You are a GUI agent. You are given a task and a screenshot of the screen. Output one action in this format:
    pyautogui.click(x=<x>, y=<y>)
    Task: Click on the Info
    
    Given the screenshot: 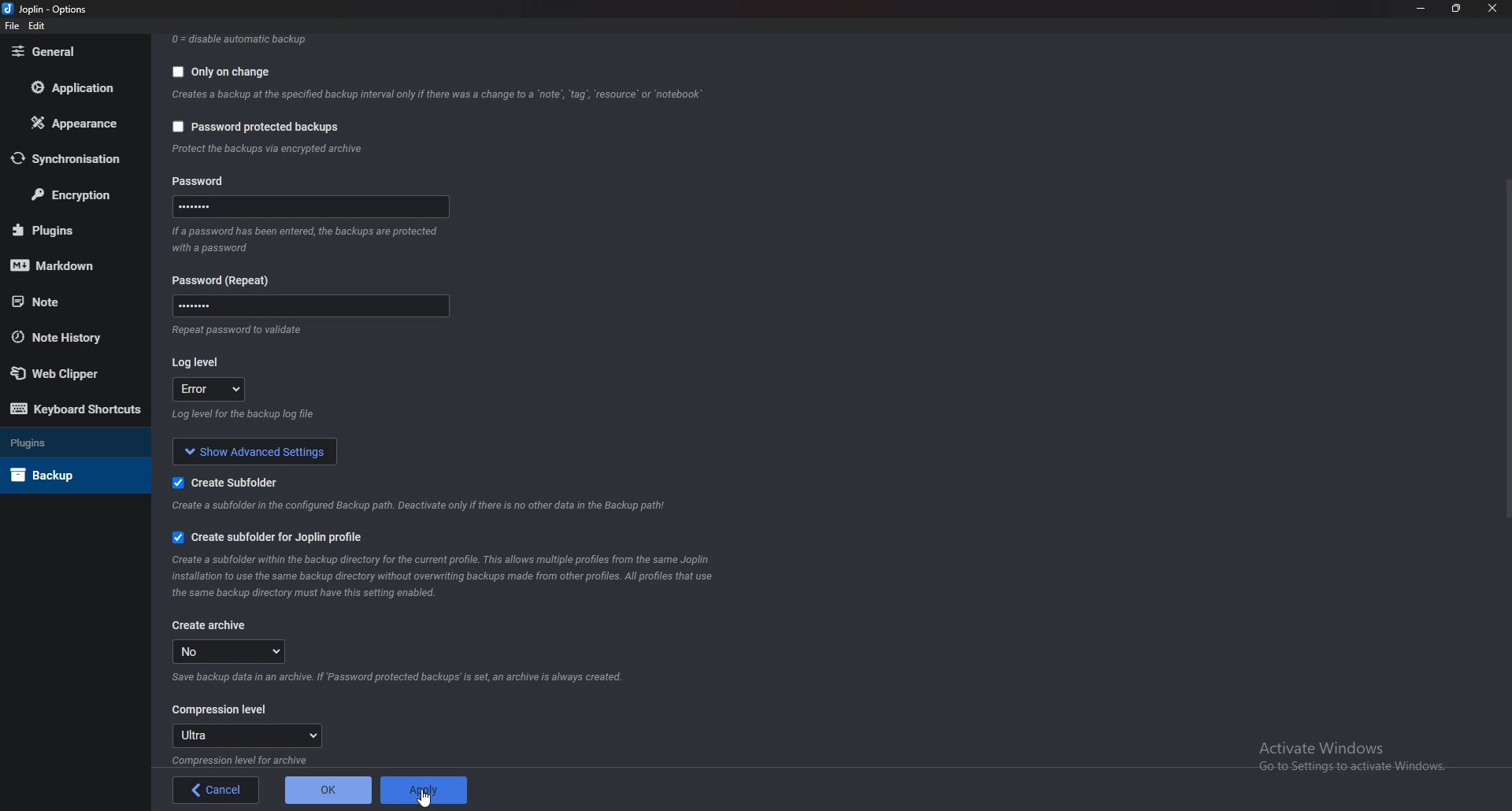 What is the action you would take?
    pyautogui.click(x=406, y=678)
    